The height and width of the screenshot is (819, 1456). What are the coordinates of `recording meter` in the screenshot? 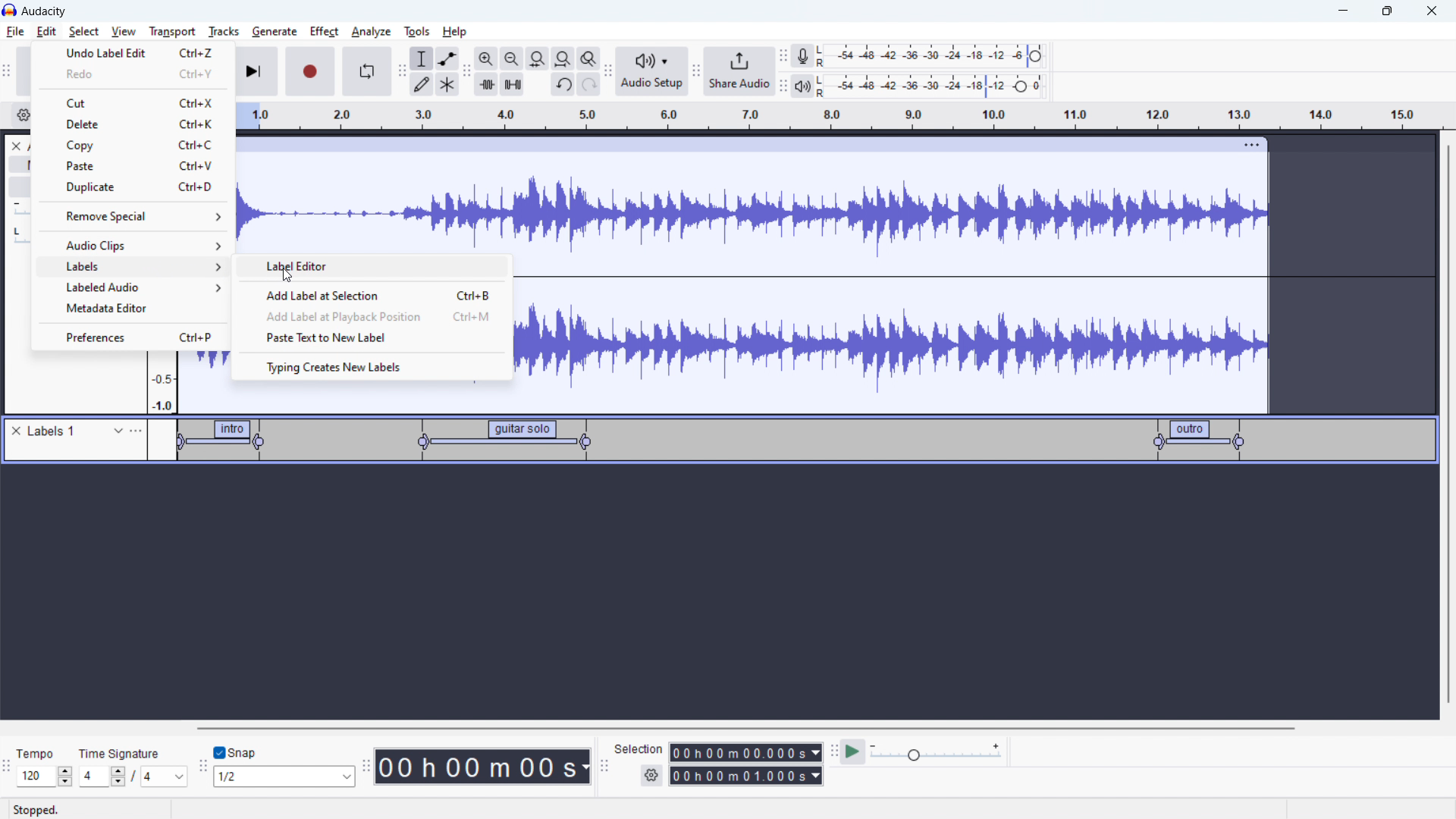 It's located at (803, 56).